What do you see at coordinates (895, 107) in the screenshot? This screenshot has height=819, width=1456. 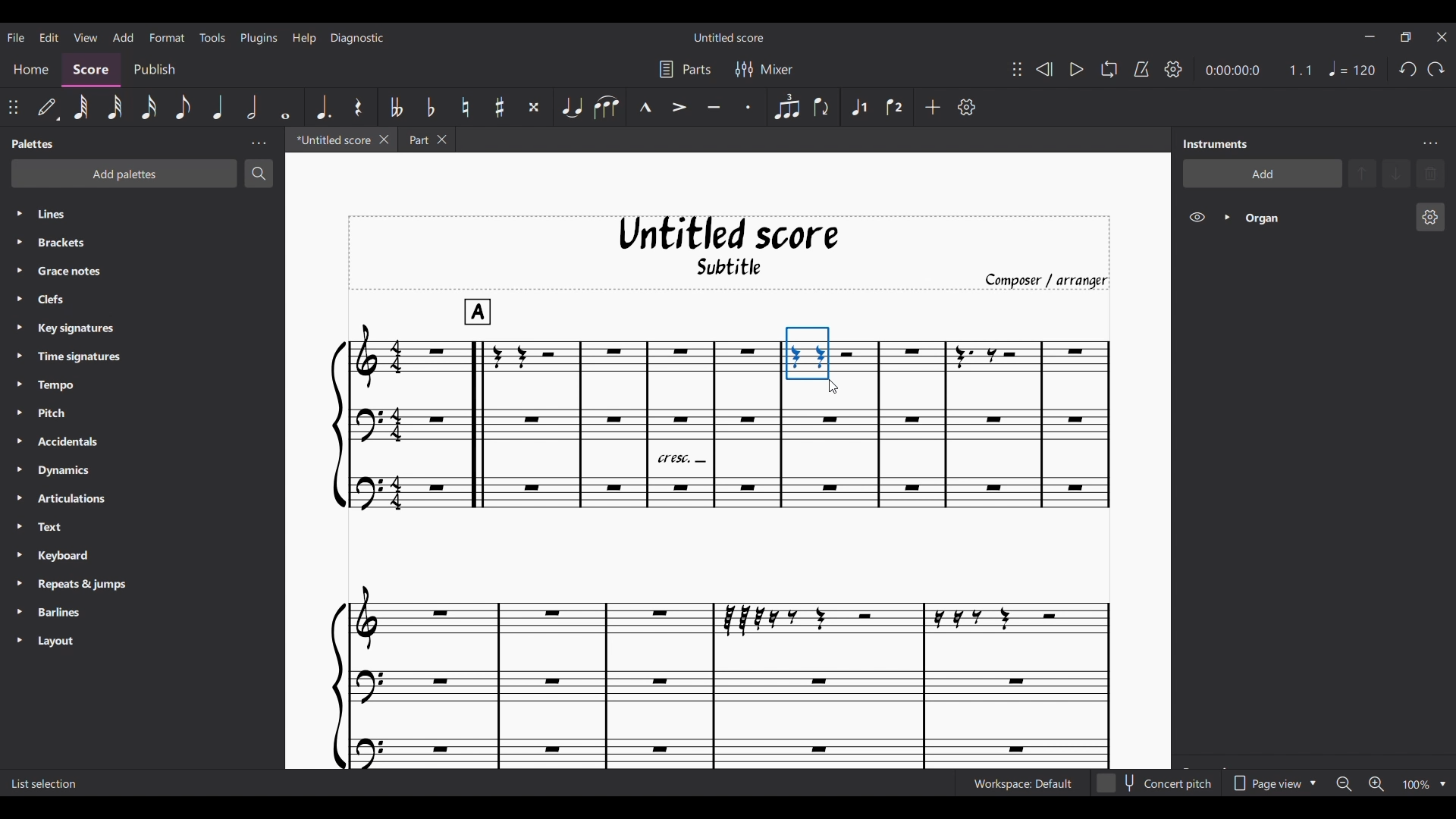 I see `Voice 2` at bounding box center [895, 107].